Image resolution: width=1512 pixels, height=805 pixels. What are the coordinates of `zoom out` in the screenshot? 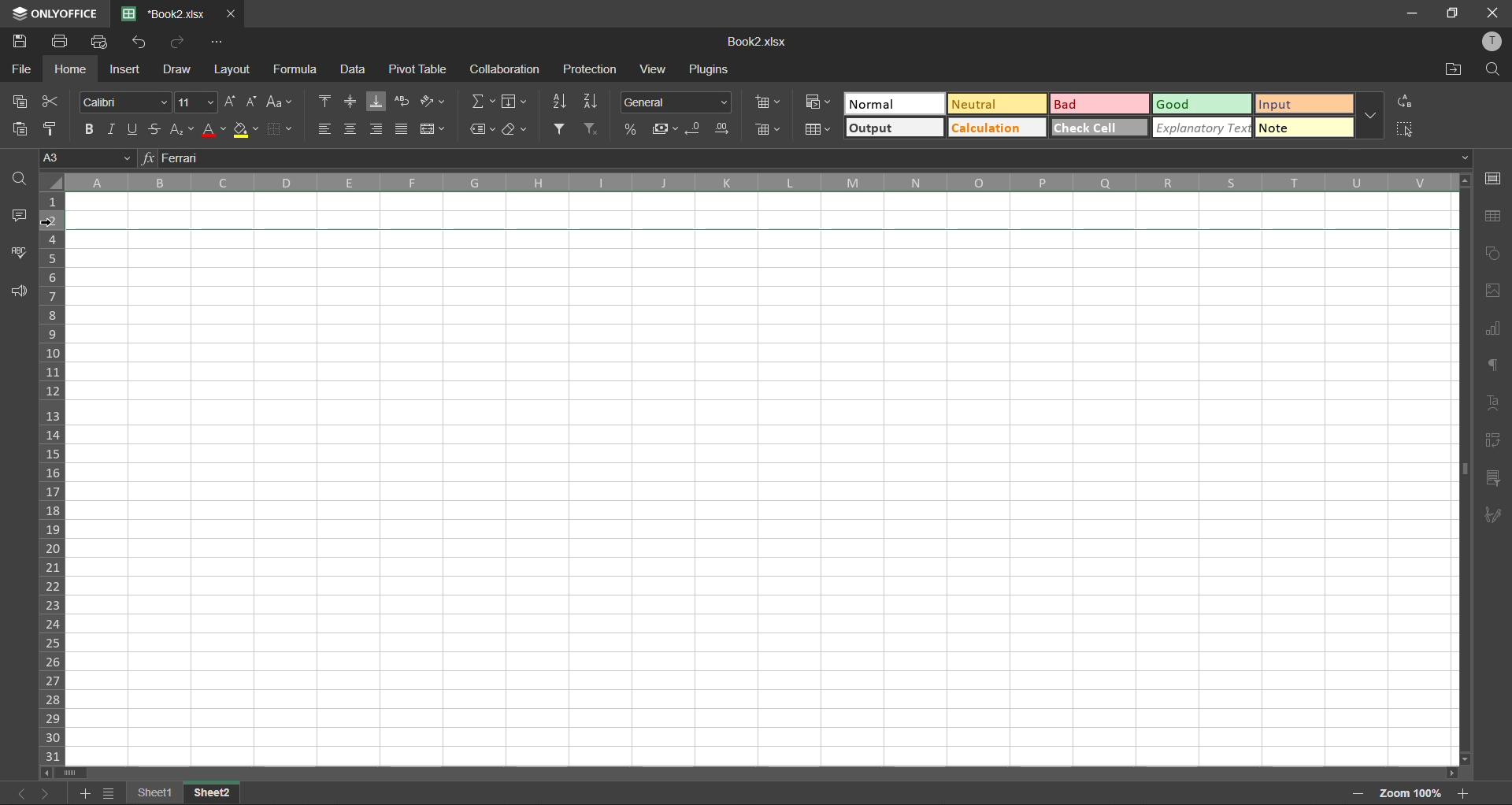 It's located at (1354, 795).